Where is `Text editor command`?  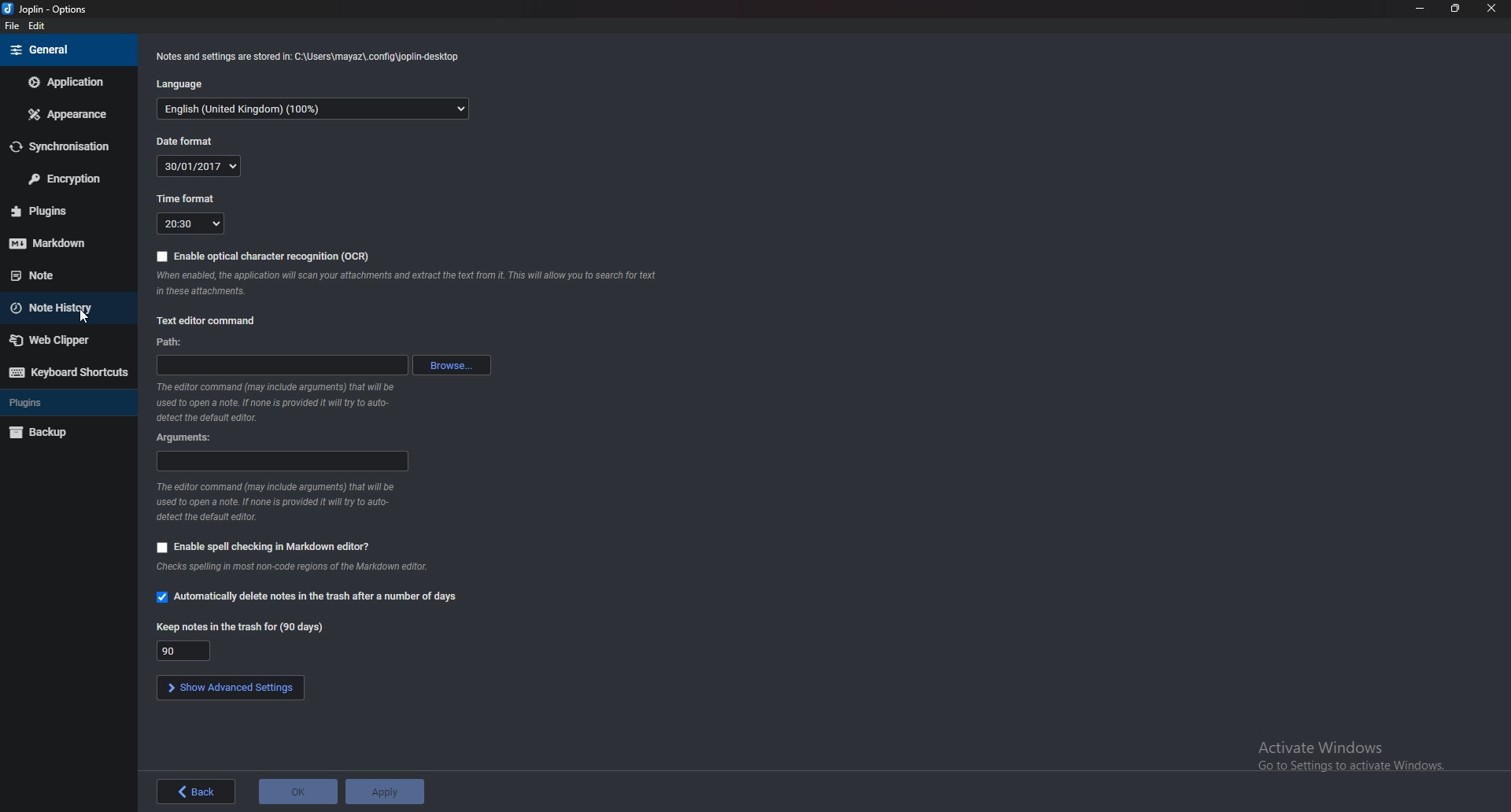 Text editor command is located at coordinates (212, 321).